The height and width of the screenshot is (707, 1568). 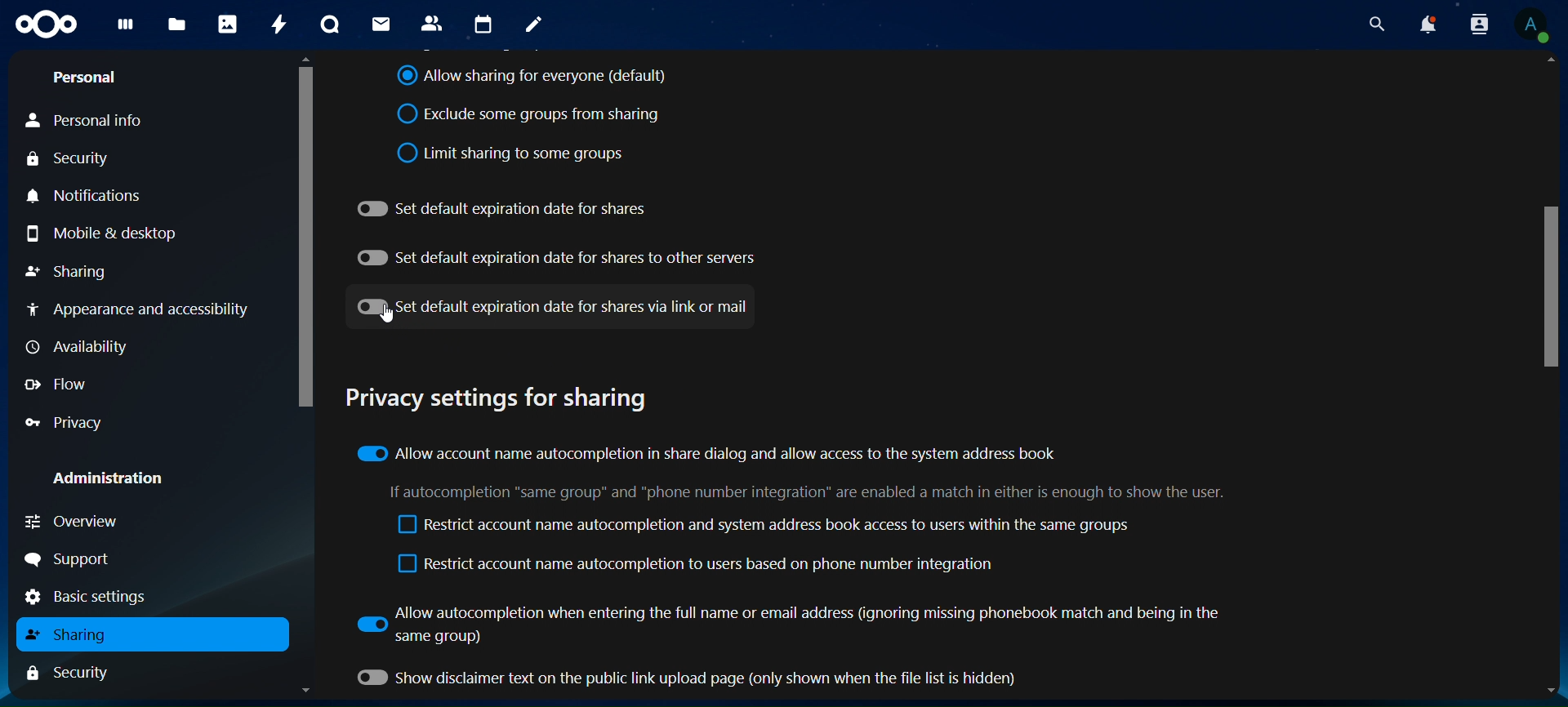 I want to click on notifications, so click(x=97, y=195).